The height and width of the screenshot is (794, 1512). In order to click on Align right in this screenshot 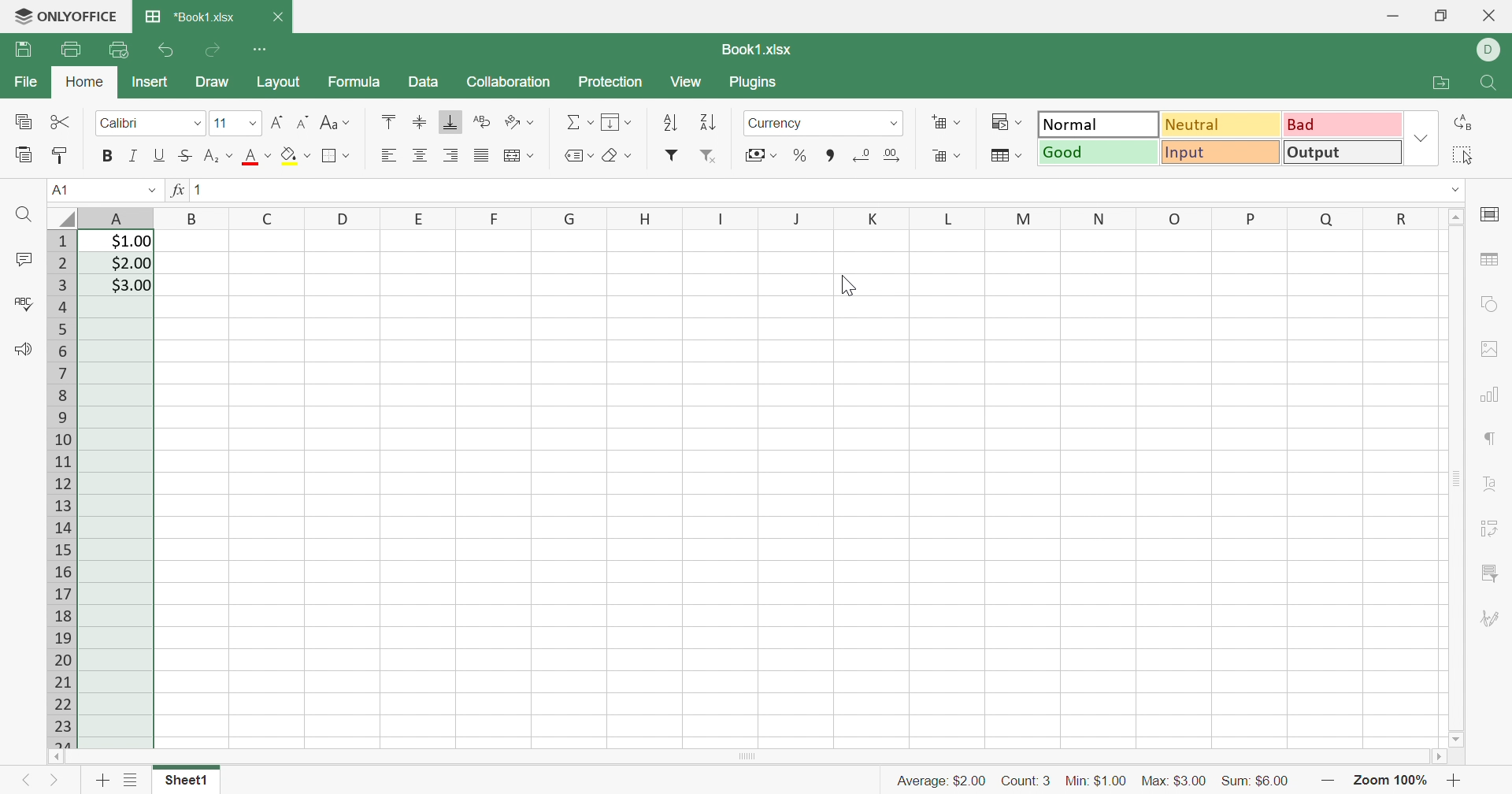, I will do `click(454, 155)`.